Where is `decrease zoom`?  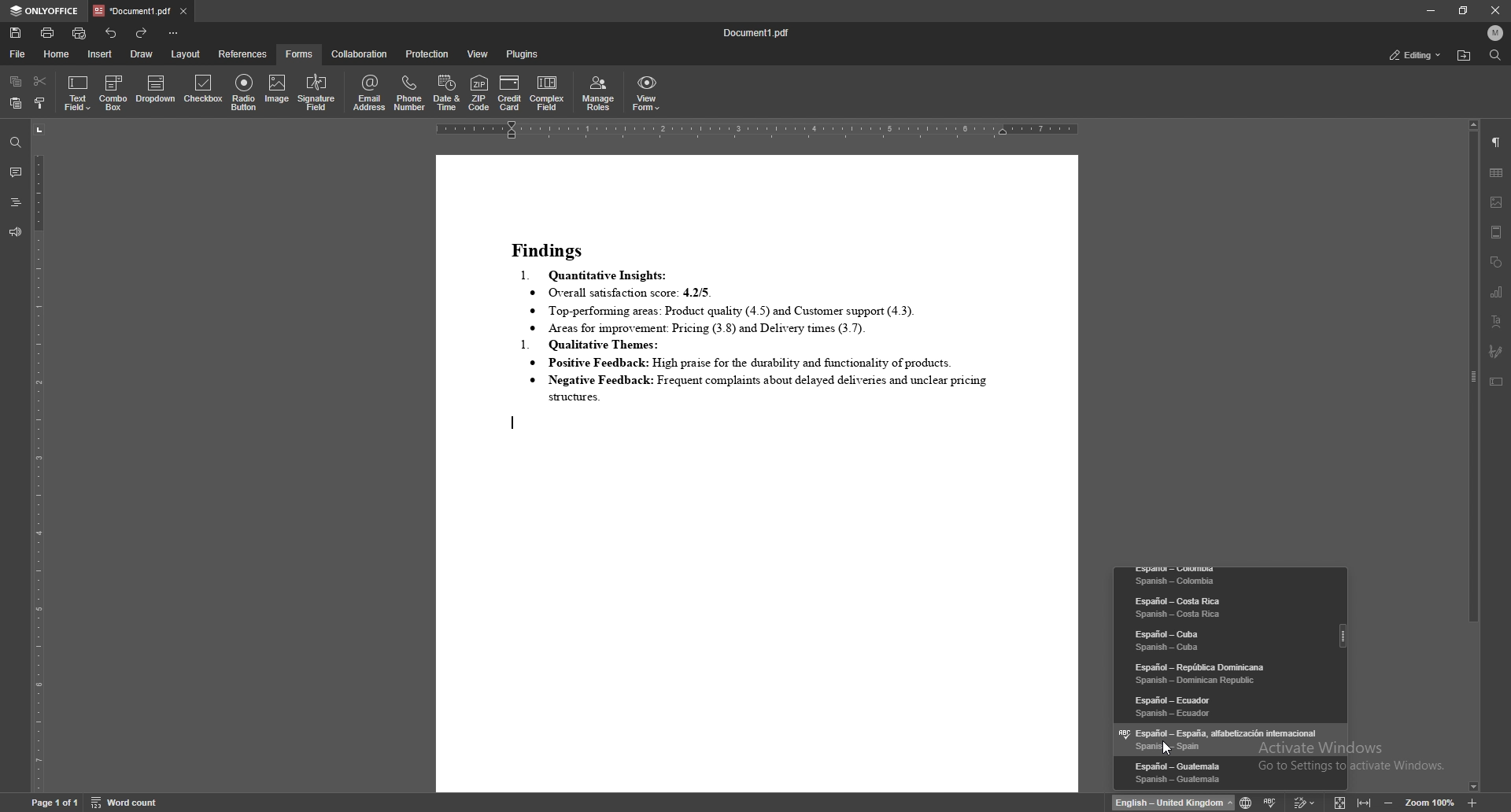
decrease zoom is located at coordinates (1387, 802).